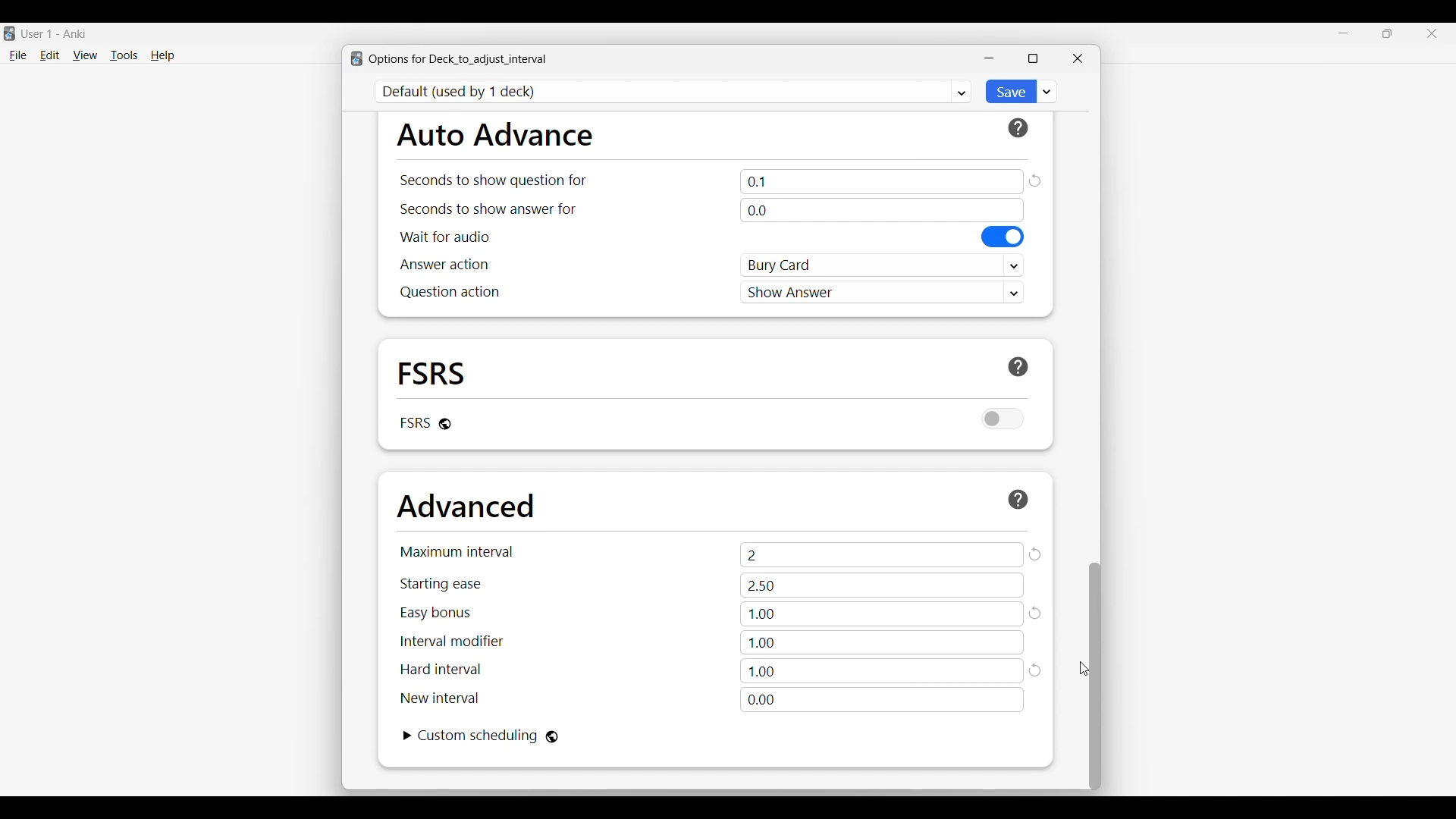  Describe the element at coordinates (989, 58) in the screenshot. I see `Minimize window` at that location.